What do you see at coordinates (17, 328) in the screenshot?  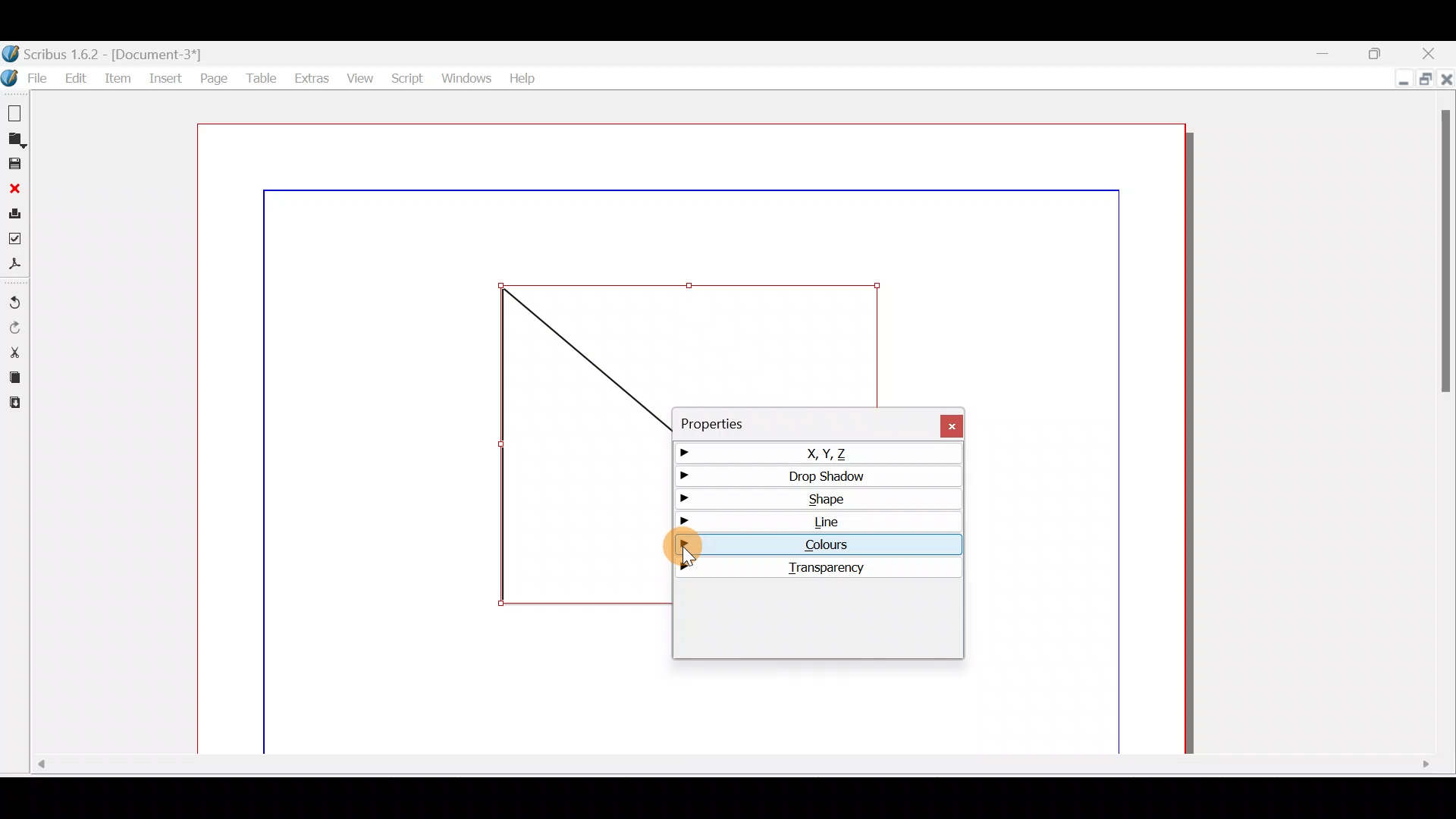 I see `Redo` at bounding box center [17, 328].